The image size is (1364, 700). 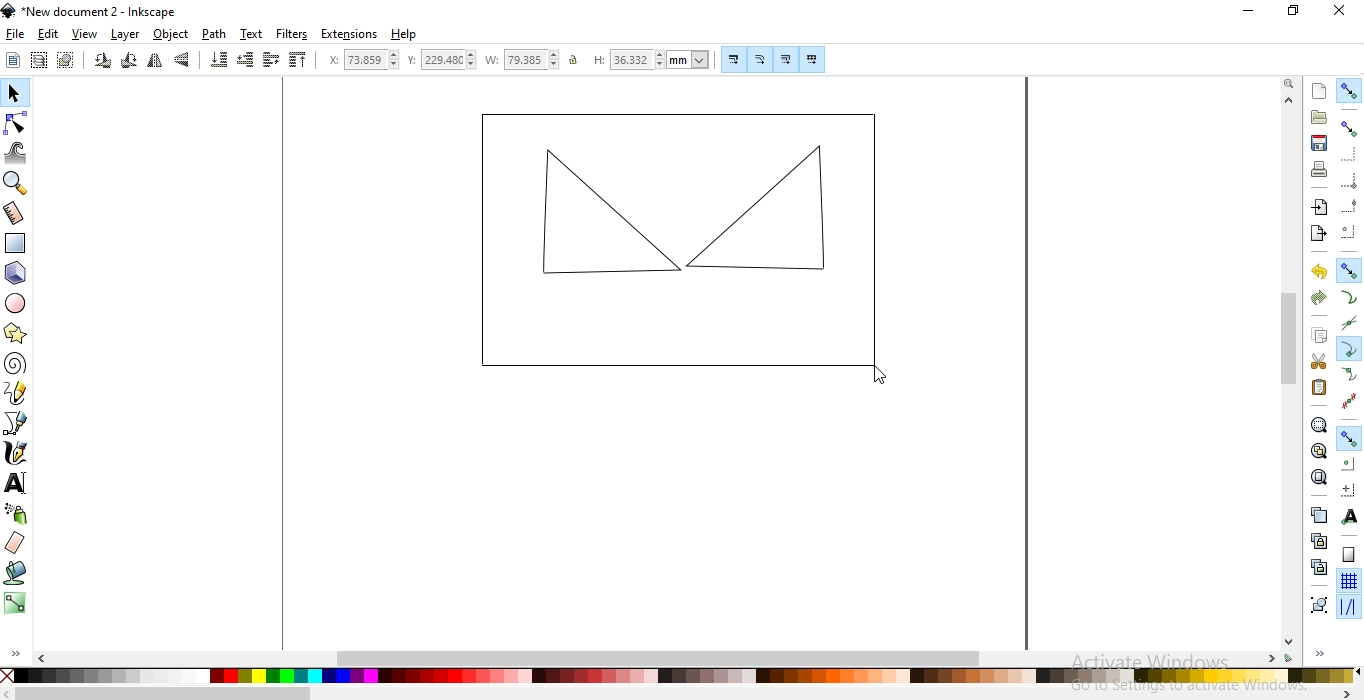 What do you see at coordinates (1314, 361) in the screenshot?
I see `cut selection` at bounding box center [1314, 361].